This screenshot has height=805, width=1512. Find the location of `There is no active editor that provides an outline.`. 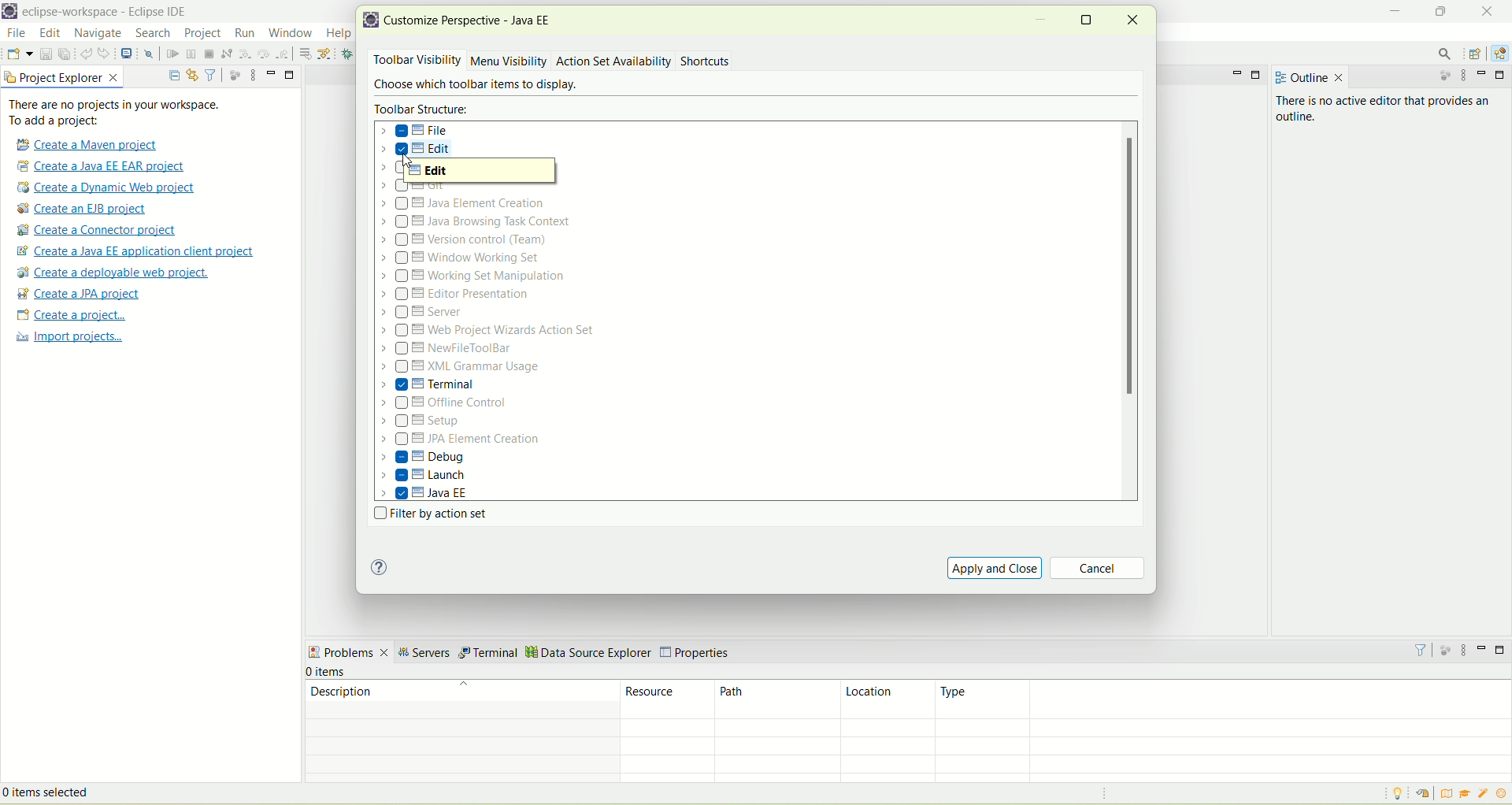

There is no active editor that provides an outline. is located at coordinates (1358, 121).